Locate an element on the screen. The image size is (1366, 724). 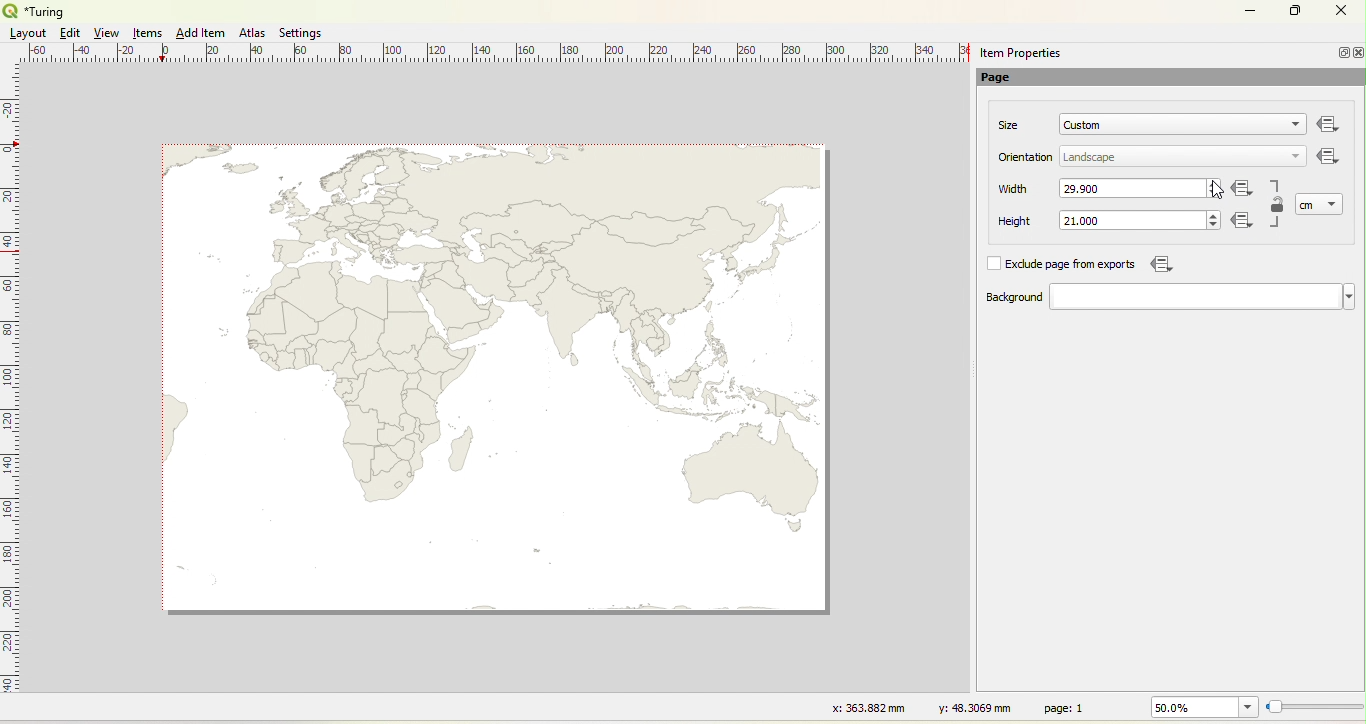
Height is located at coordinates (1002, 222).